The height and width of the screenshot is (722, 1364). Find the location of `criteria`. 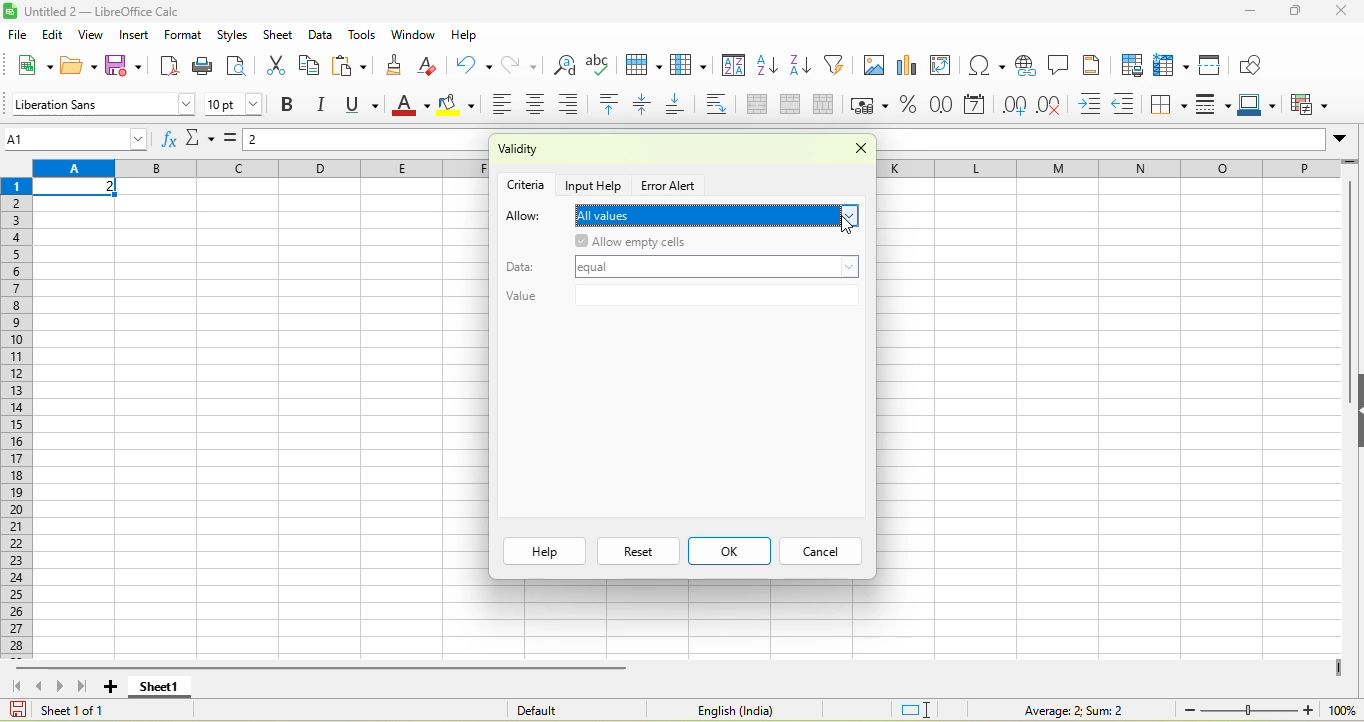

criteria is located at coordinates (527, 183).